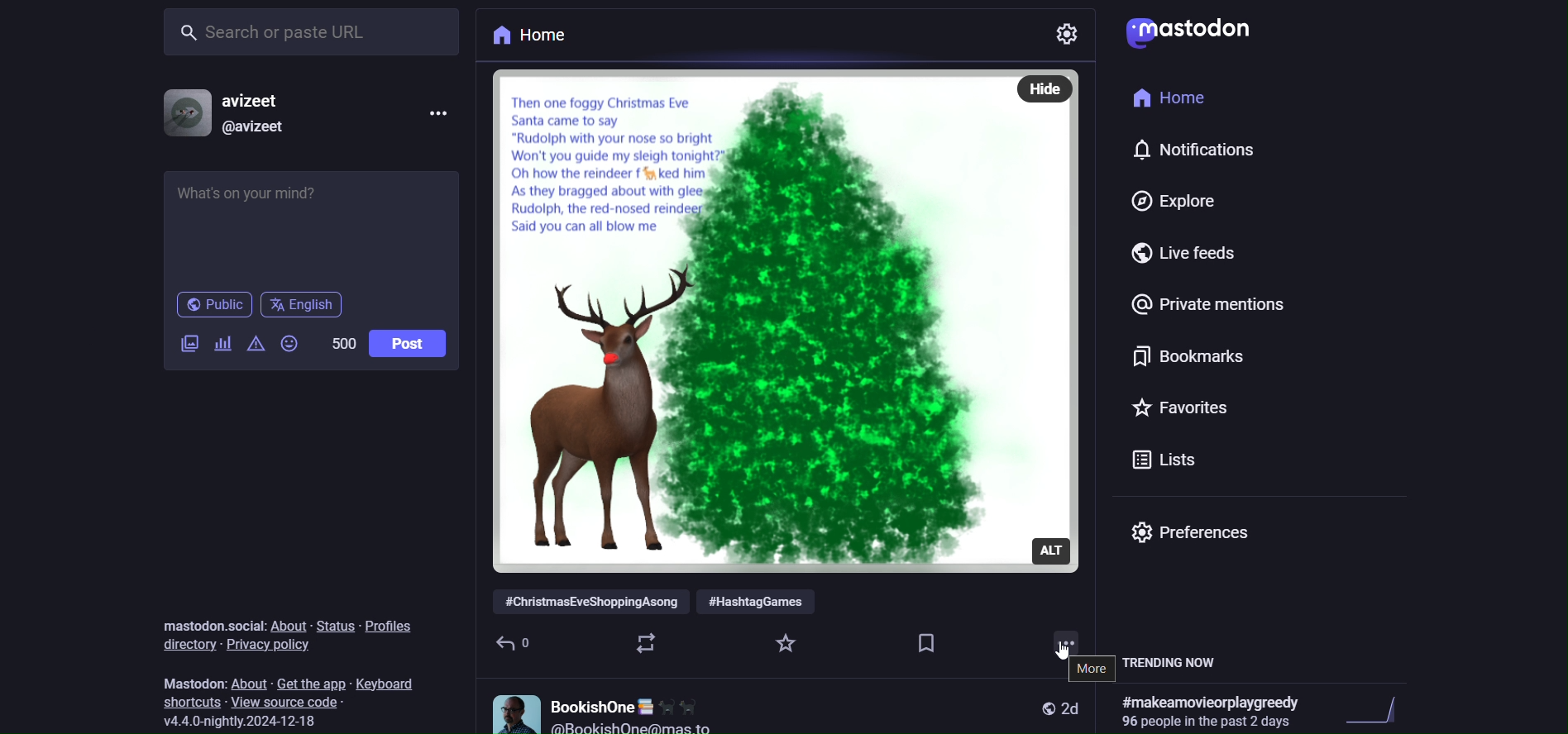 The width and height of the screenshot is (1568, 734). I want to click on bookmark, so click(1187, 356).